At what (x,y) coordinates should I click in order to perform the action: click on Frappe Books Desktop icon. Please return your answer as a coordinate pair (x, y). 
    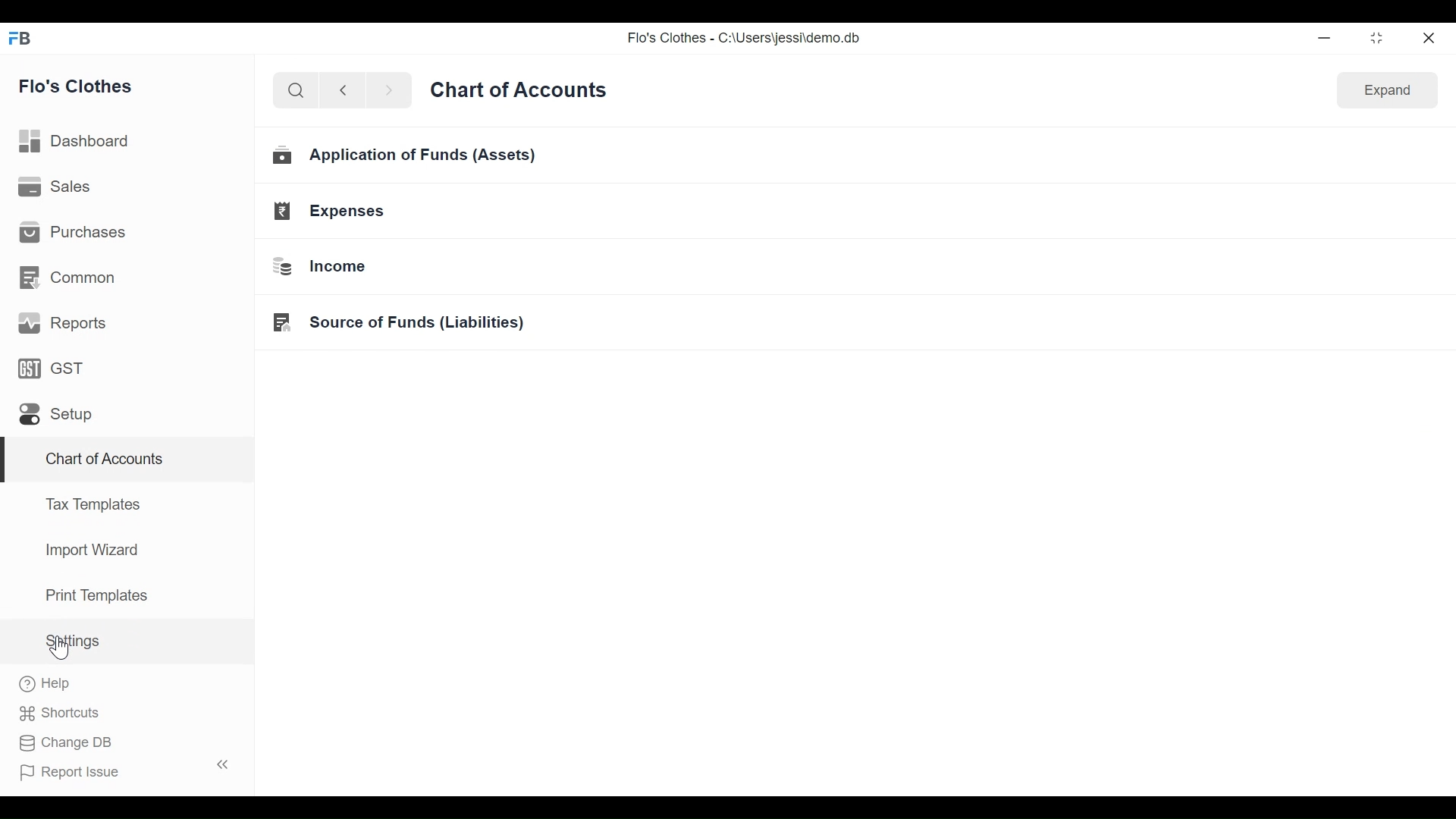
    Looking at the image, I should click on (24, 37).